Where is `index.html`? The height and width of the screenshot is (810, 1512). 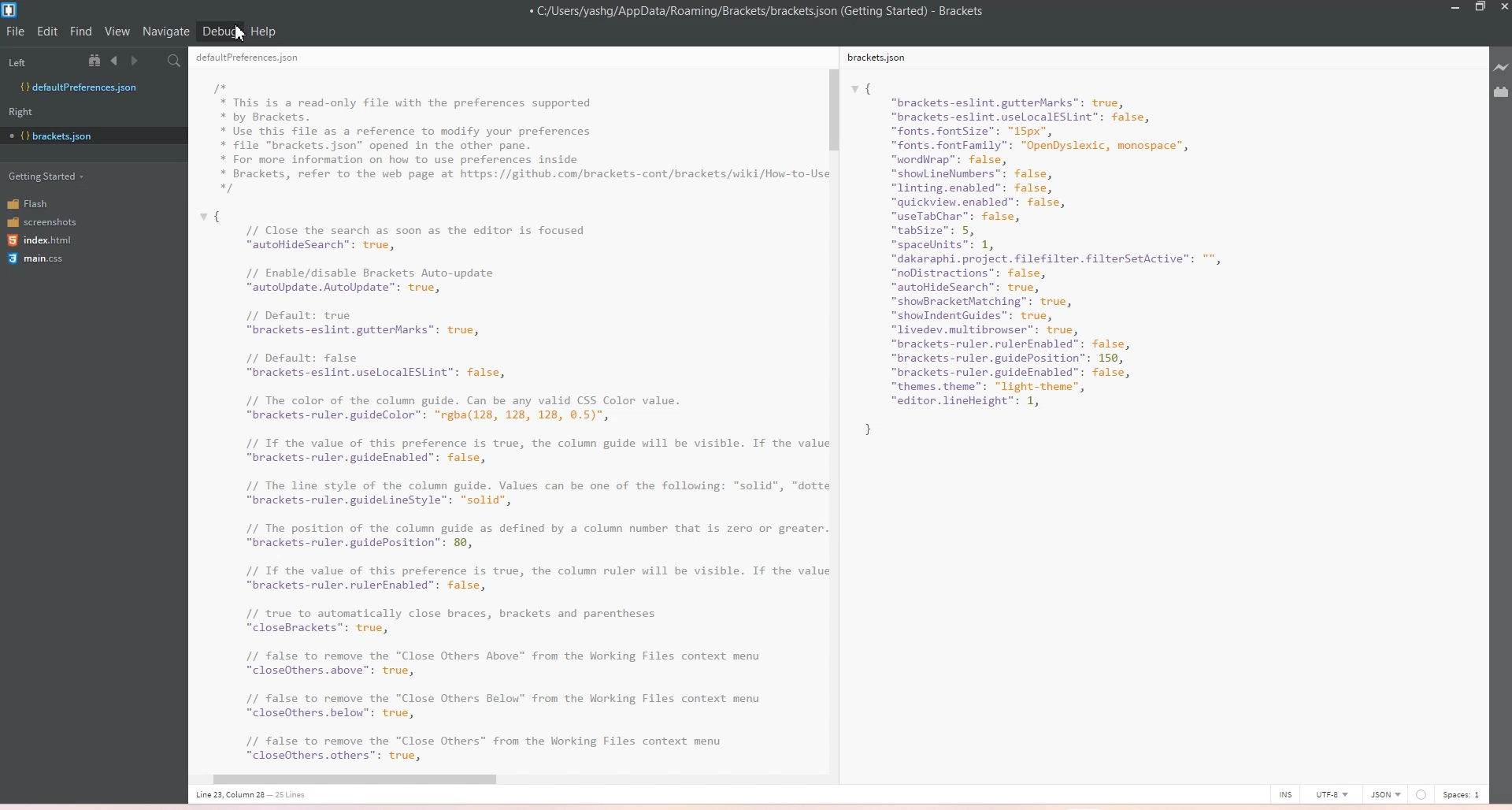 index.html is located at coordinates (42, 241).